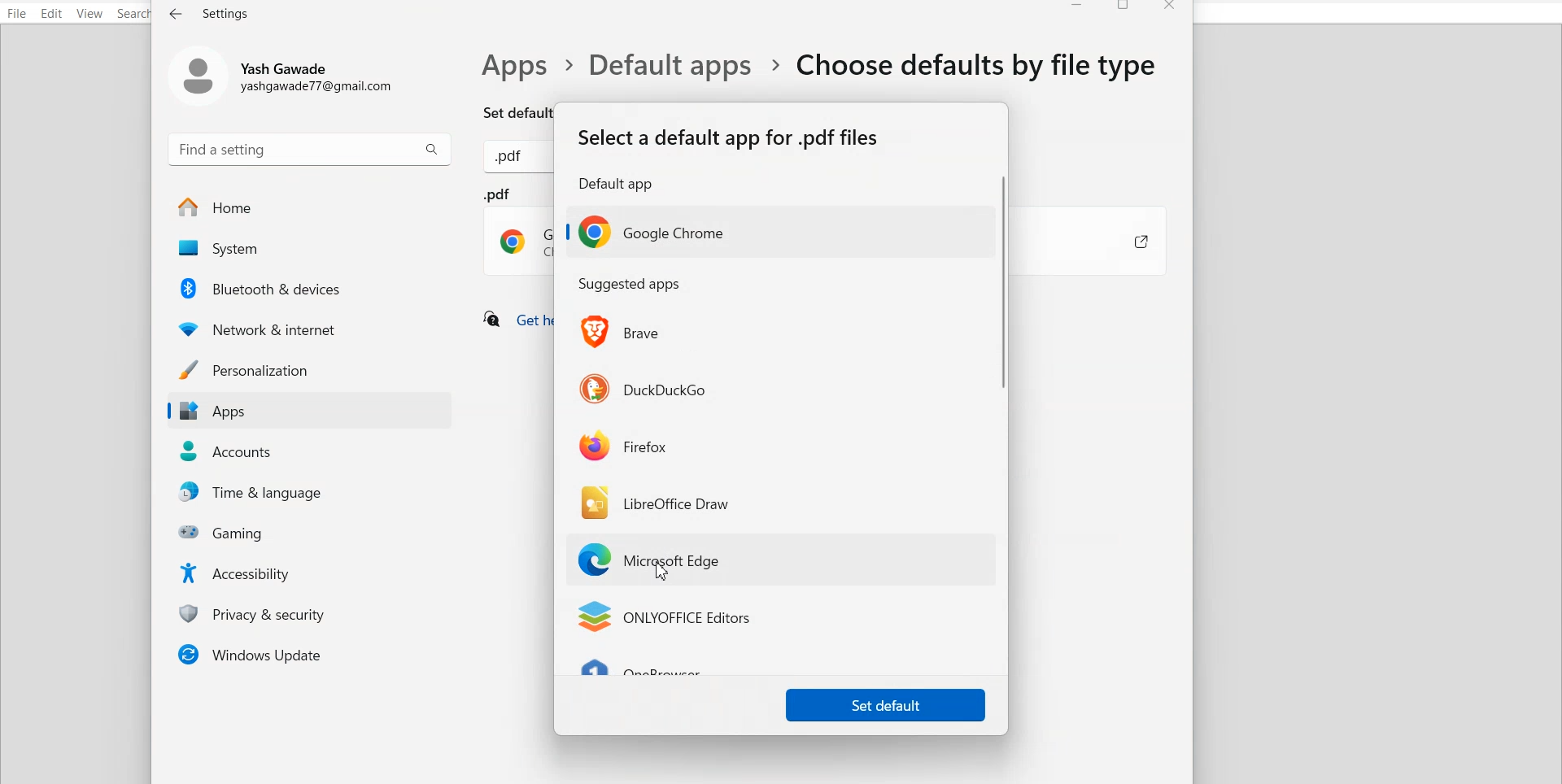  I want to click on Brave, so click(625, 332).